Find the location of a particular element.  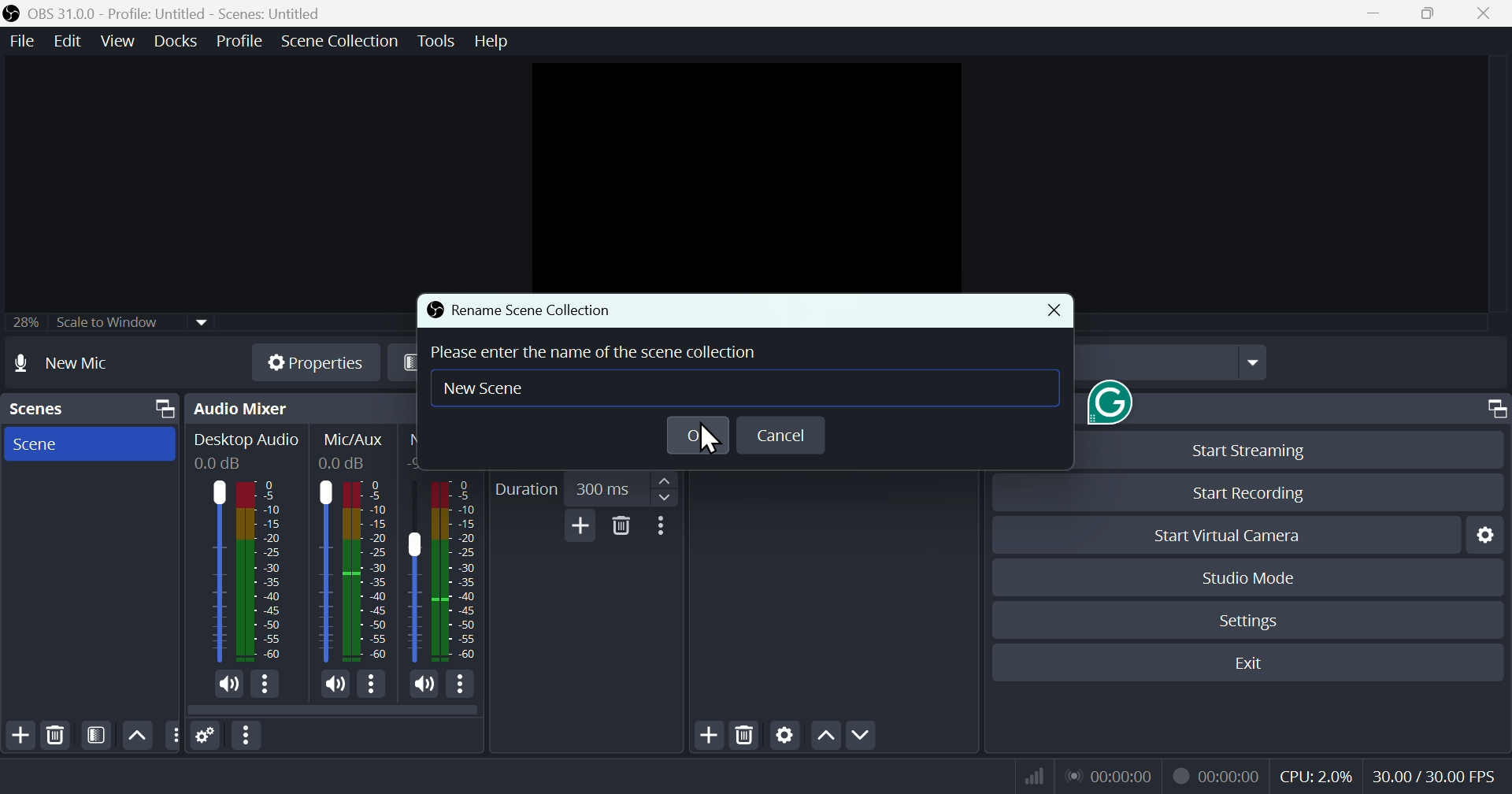

Duration 300 millisecond  is located at coordinates (584, 486).